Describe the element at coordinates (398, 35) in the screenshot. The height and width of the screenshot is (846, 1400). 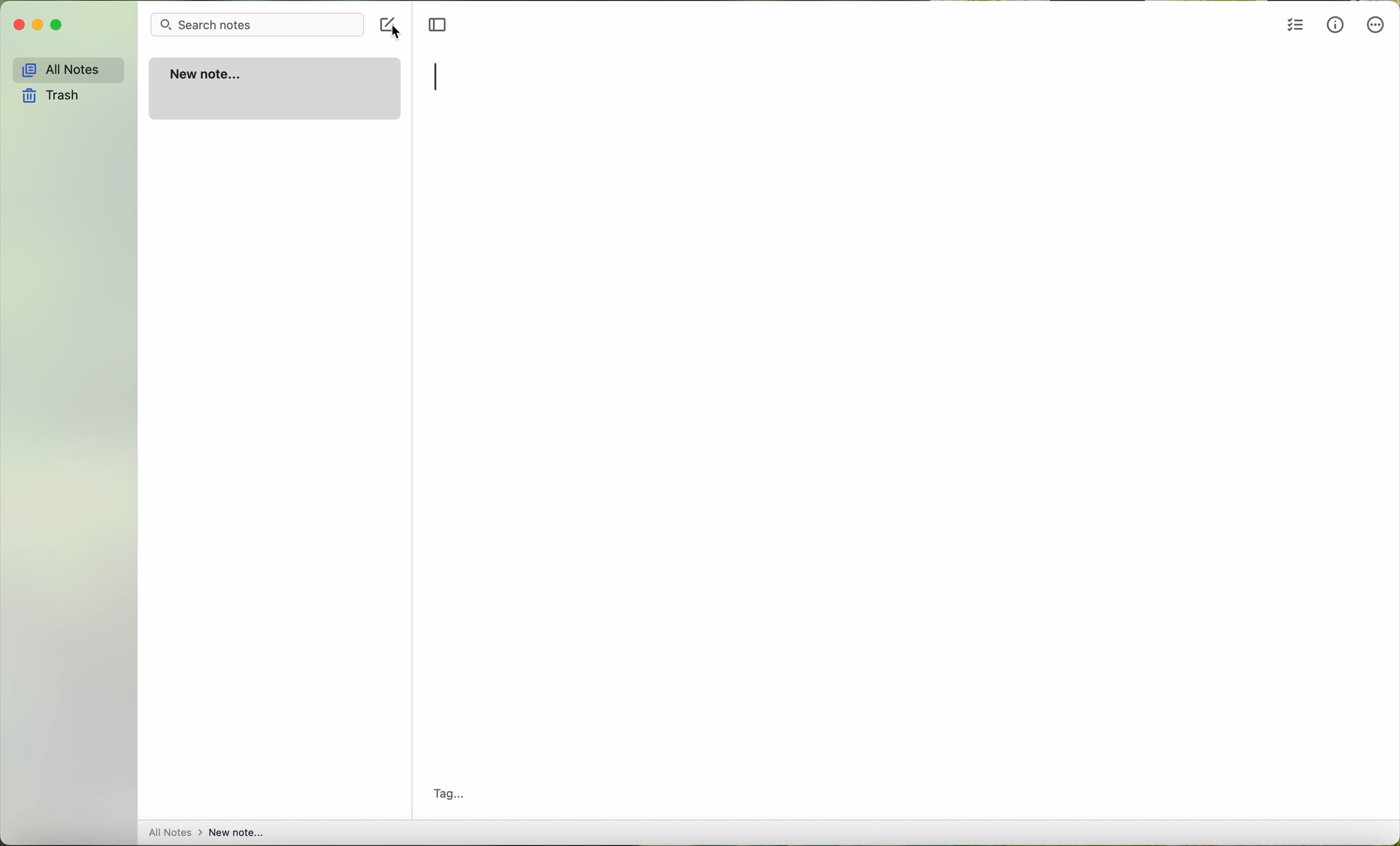
I see `cursor` at that location.